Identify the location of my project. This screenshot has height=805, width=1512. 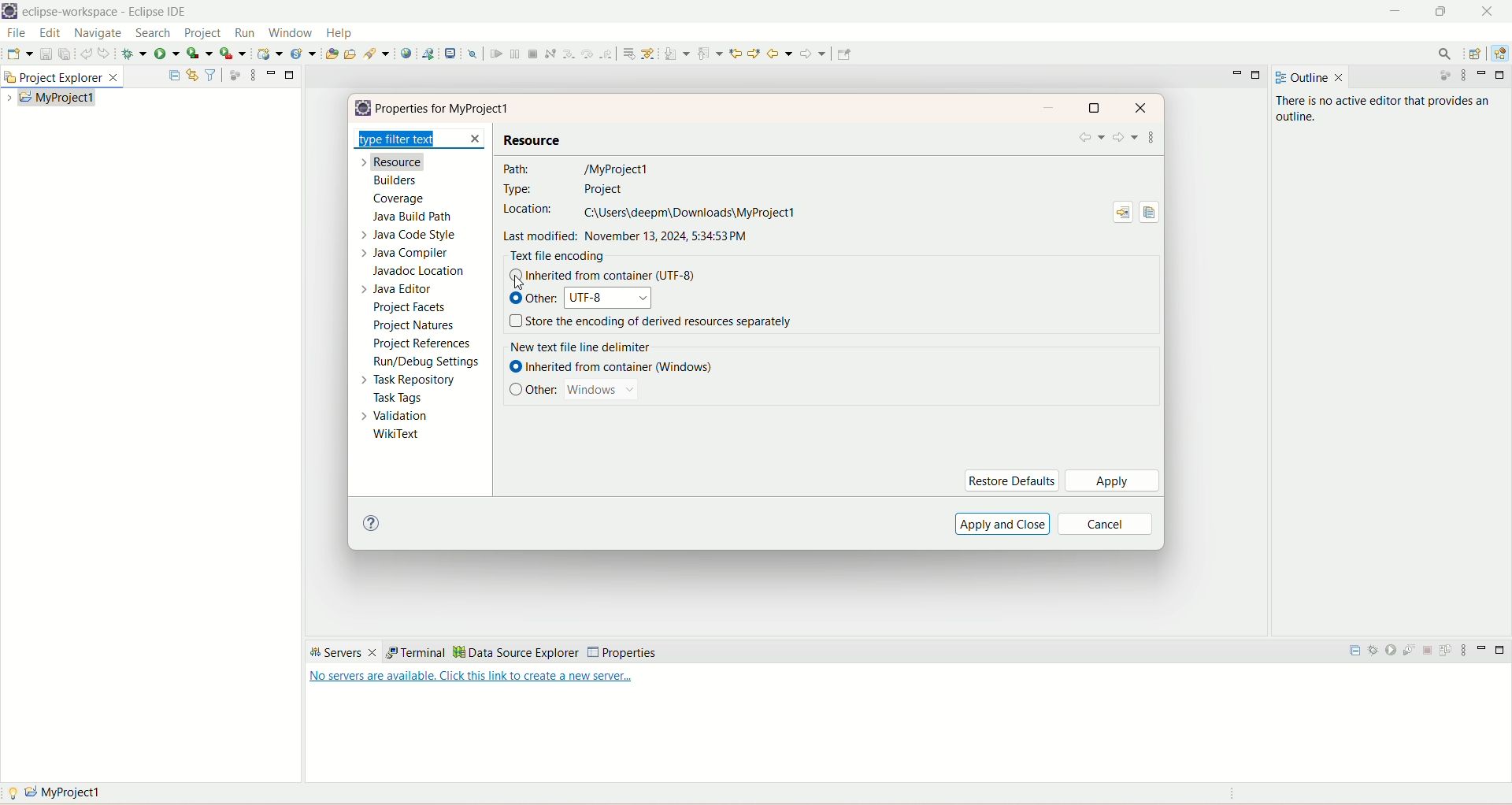
(63, 791).